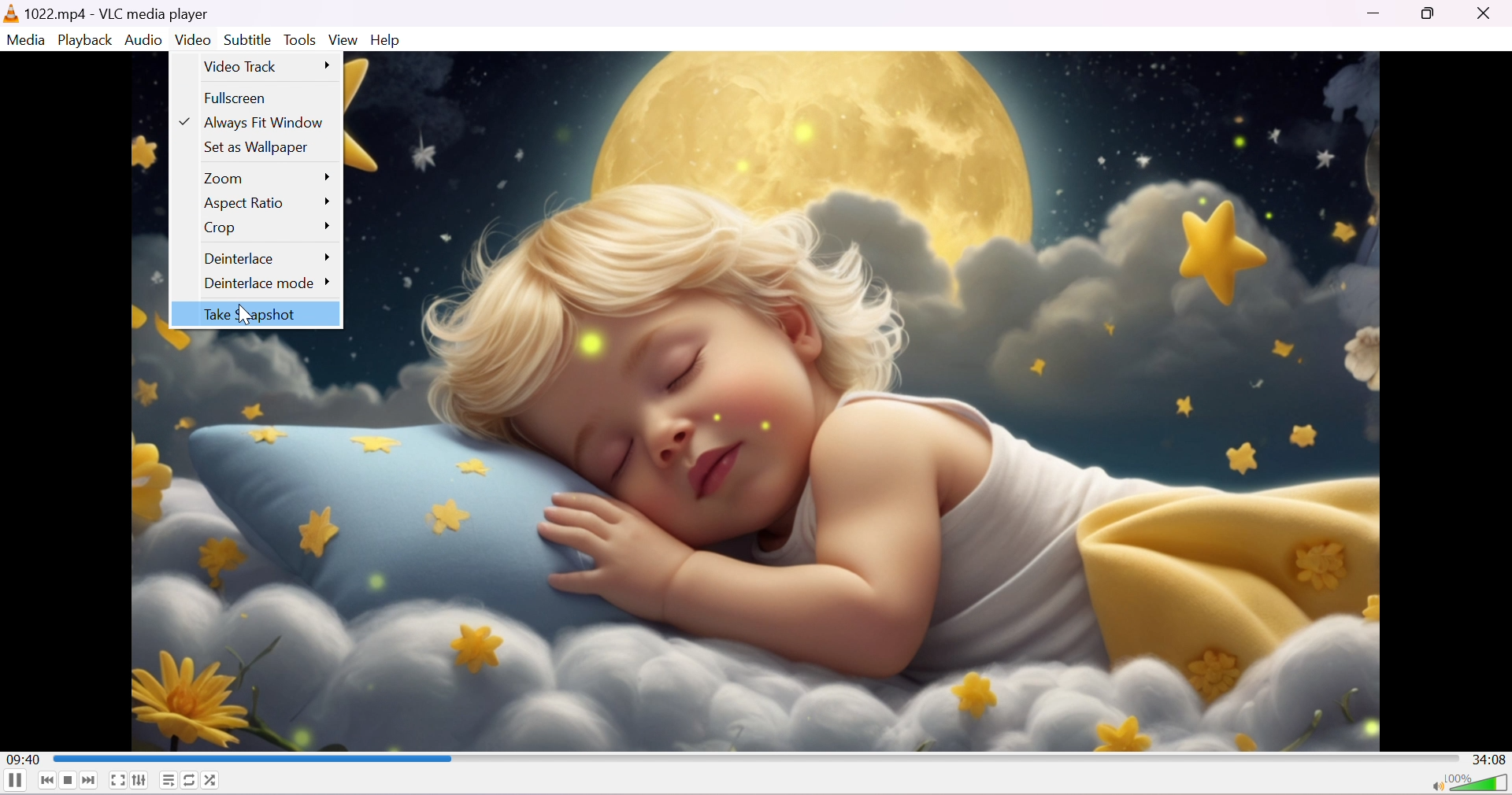 The height and width of the screenshot is (795, 1512). I want to click on Fullscreen, so click(236, 99).